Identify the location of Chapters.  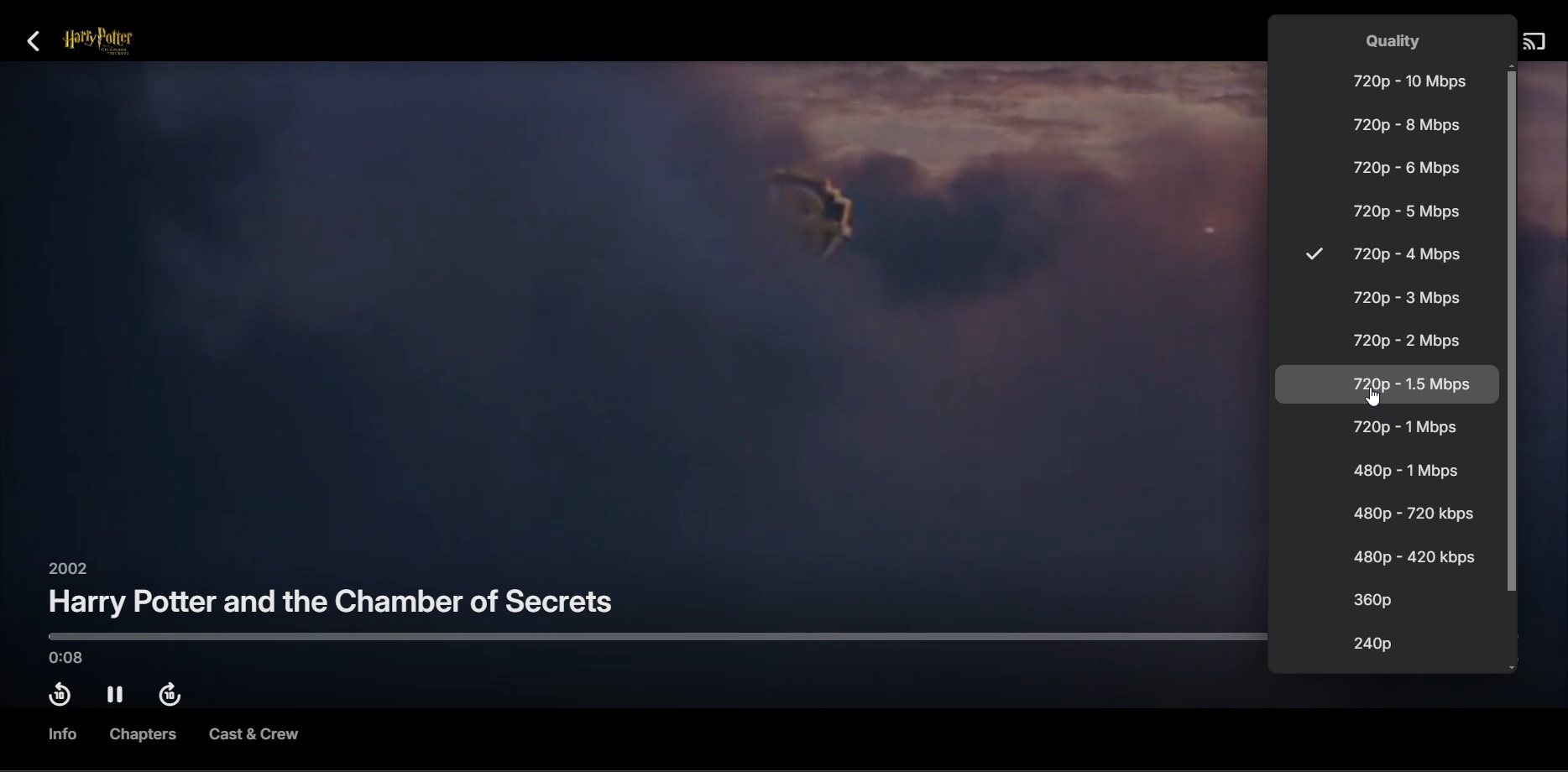
(144, 736).